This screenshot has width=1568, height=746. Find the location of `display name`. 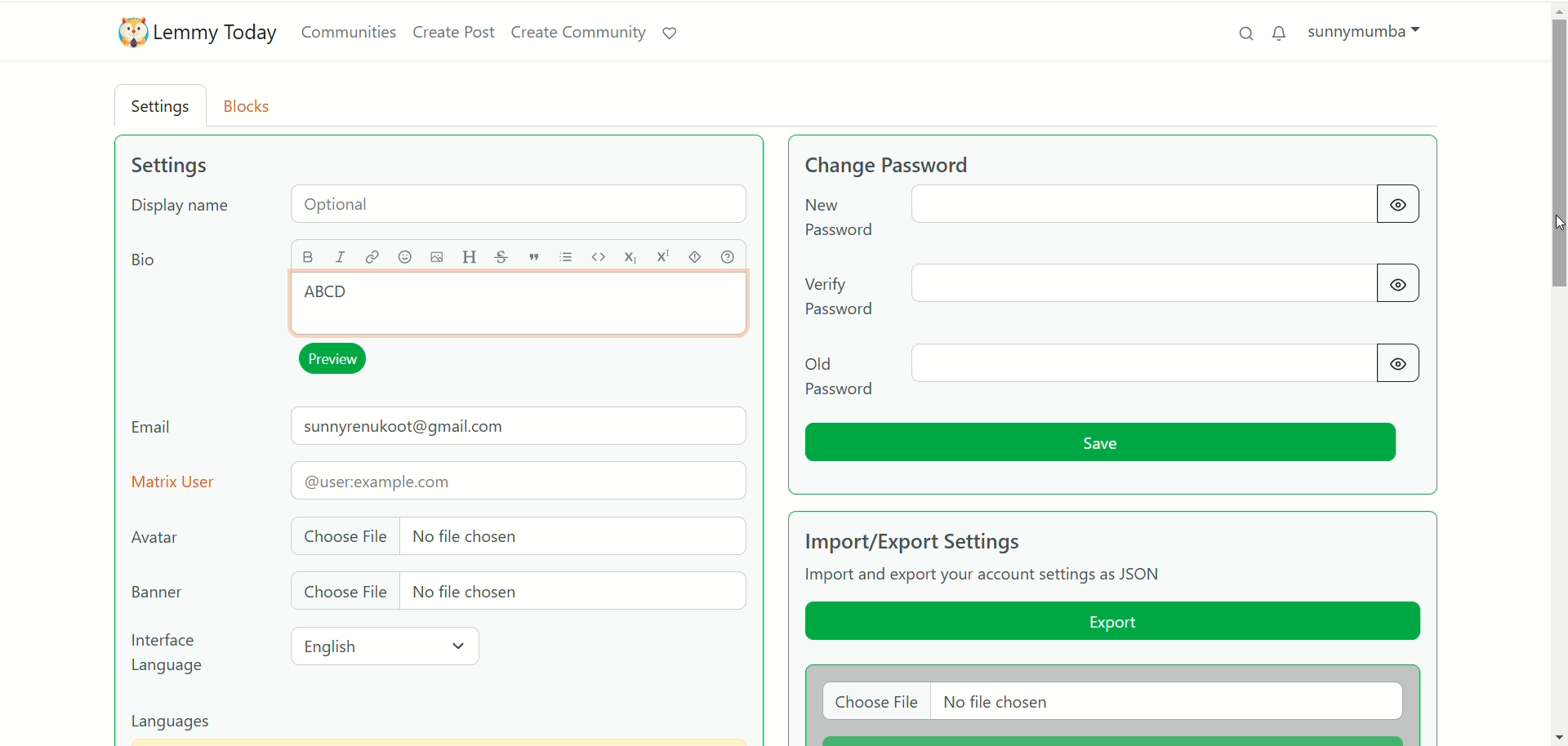

display name is located at coordinates (443, 207).